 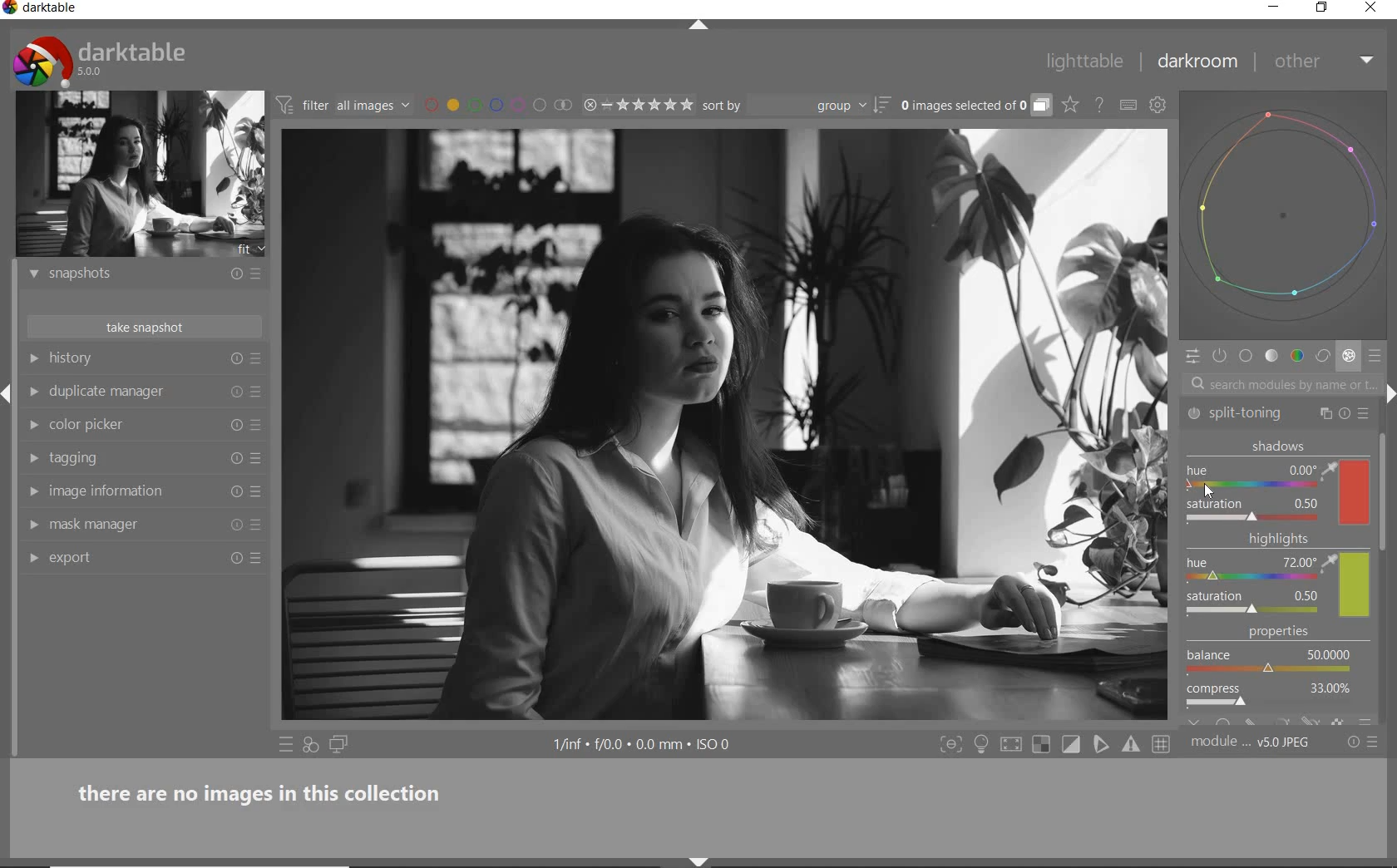 What do you see at coordinates (141, 327) in the screenshot?
I see `take snapshot` at bounding box center [141, 327].